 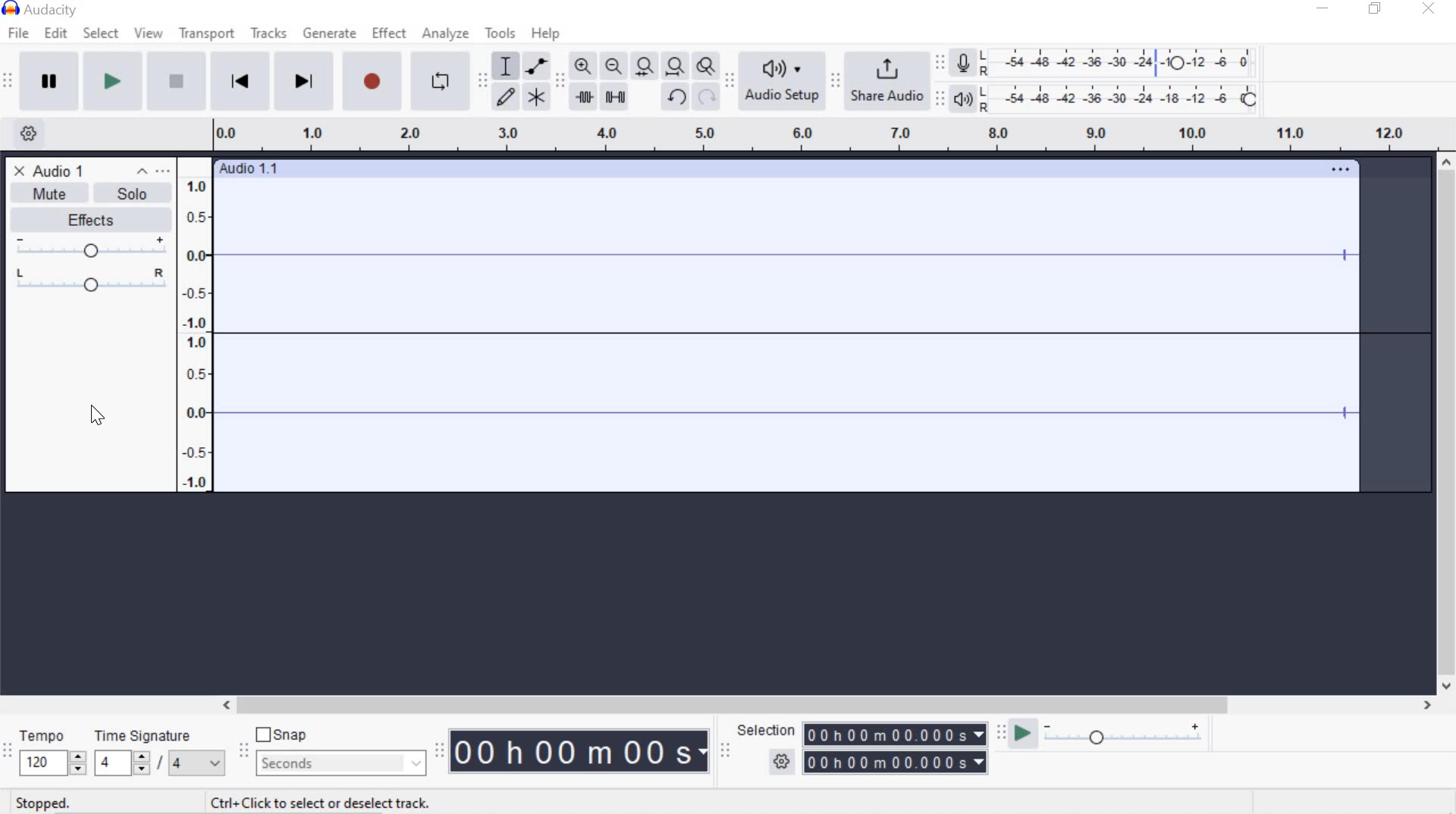 I want to click on tools, so click(x=500, y=33).